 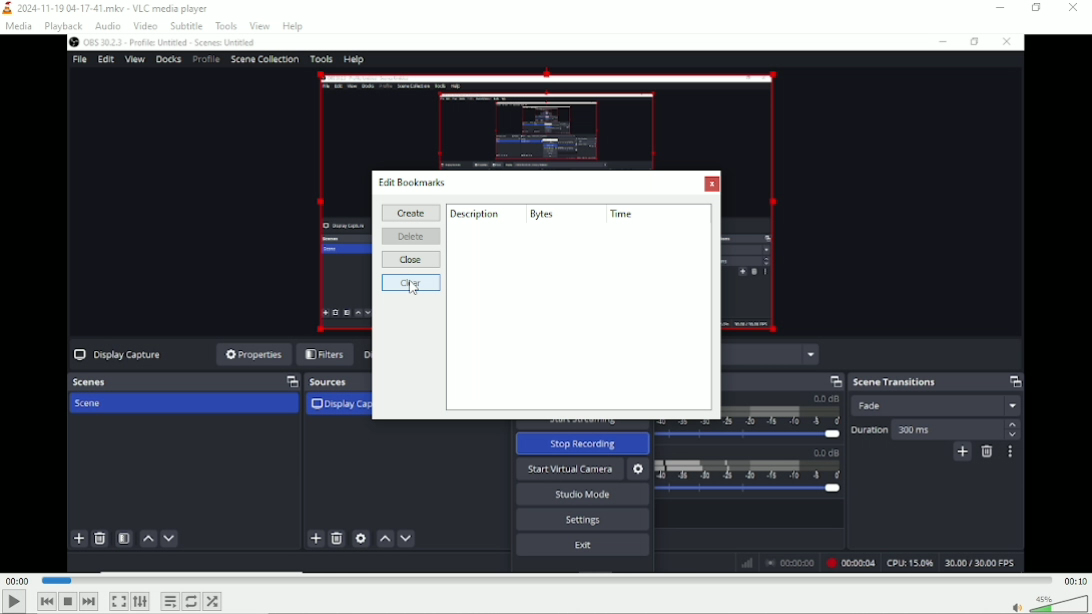 What do you see at coordinates (47, 601) in the screenshot?
I see `Previous` at bounding box center [47, 601].